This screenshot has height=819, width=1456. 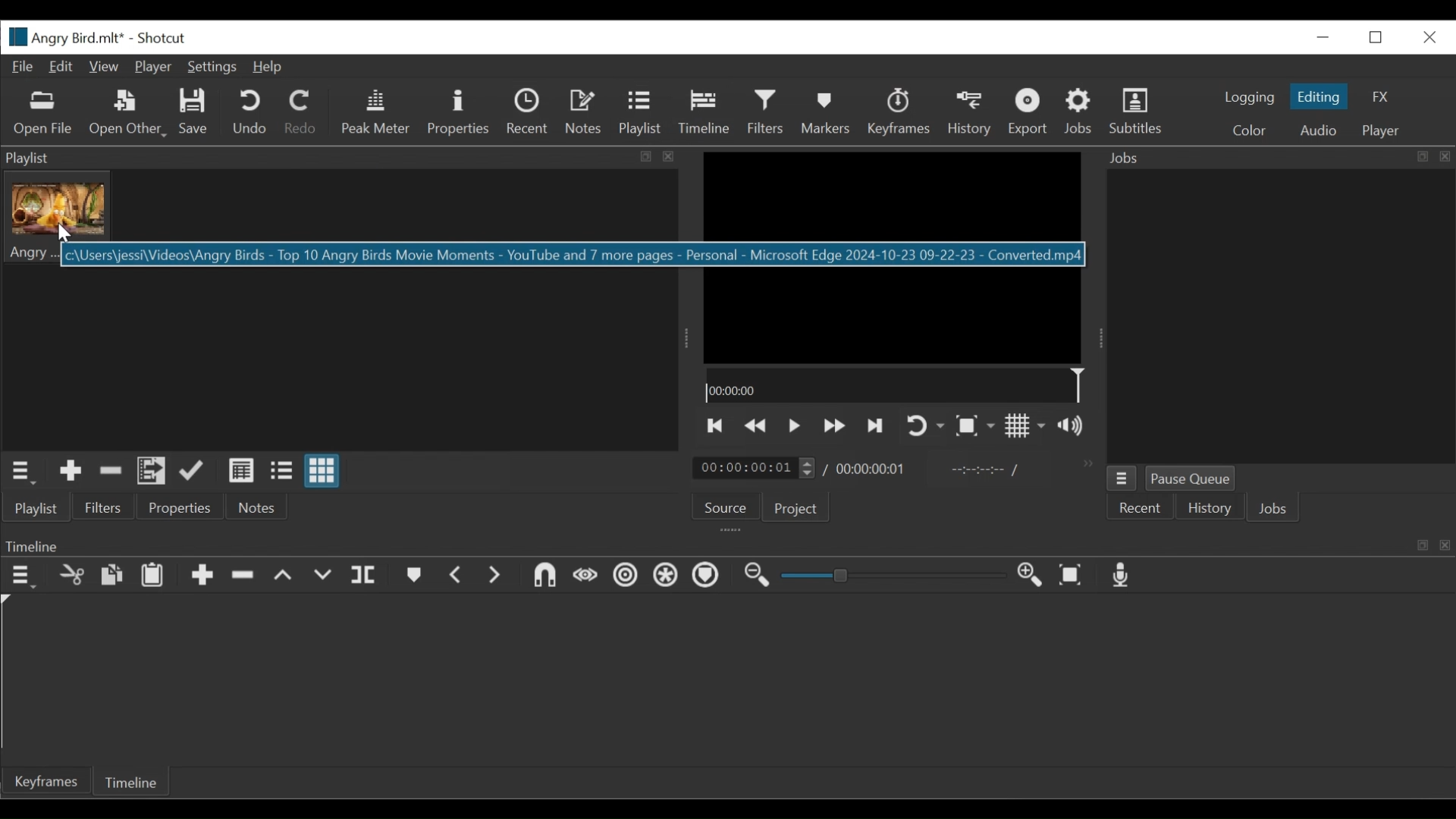 I want to click on Overwrite, so click(x=325, y=576).